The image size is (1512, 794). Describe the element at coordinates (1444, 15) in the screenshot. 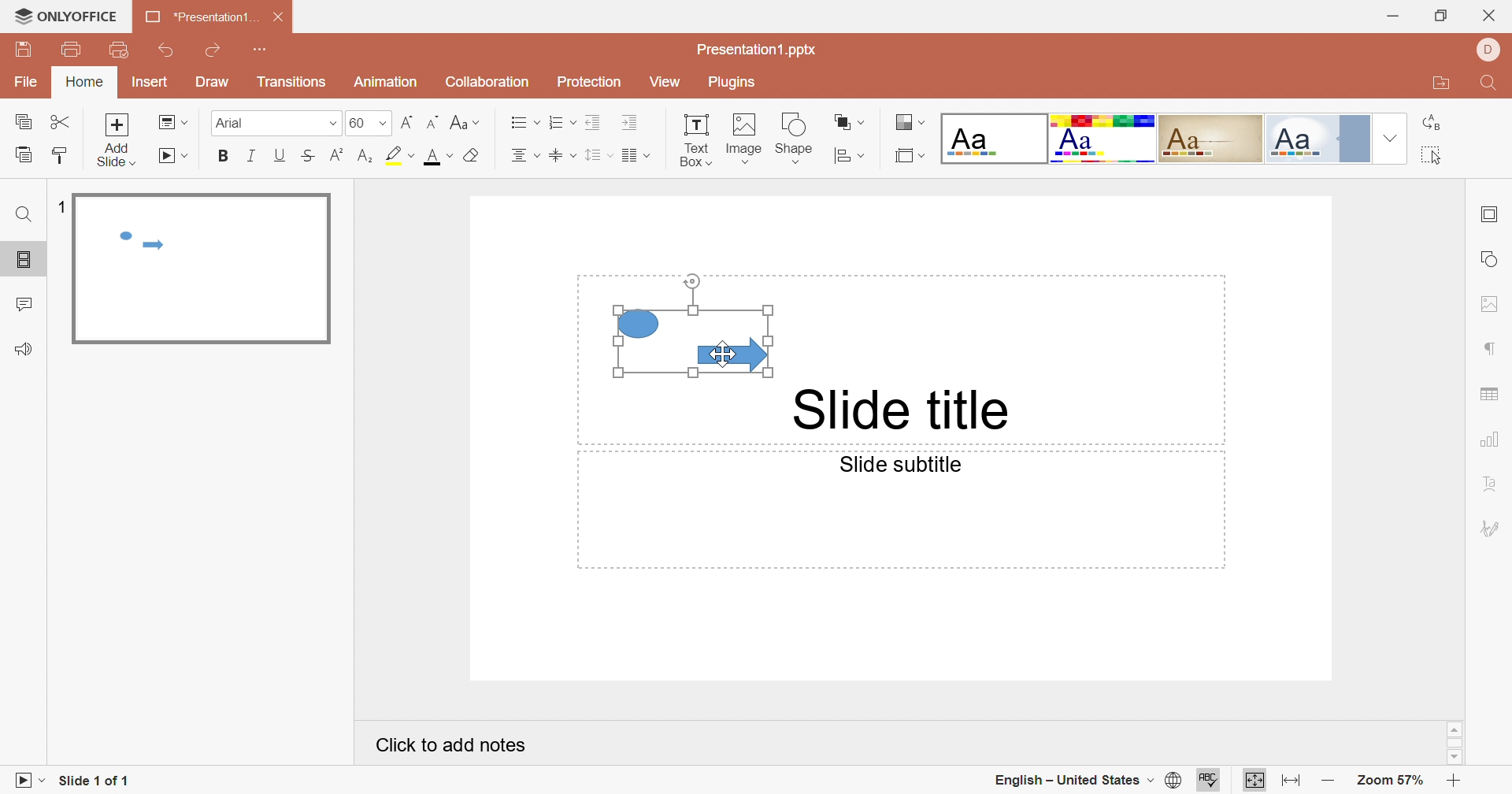

I see `Restore Down` at that location.